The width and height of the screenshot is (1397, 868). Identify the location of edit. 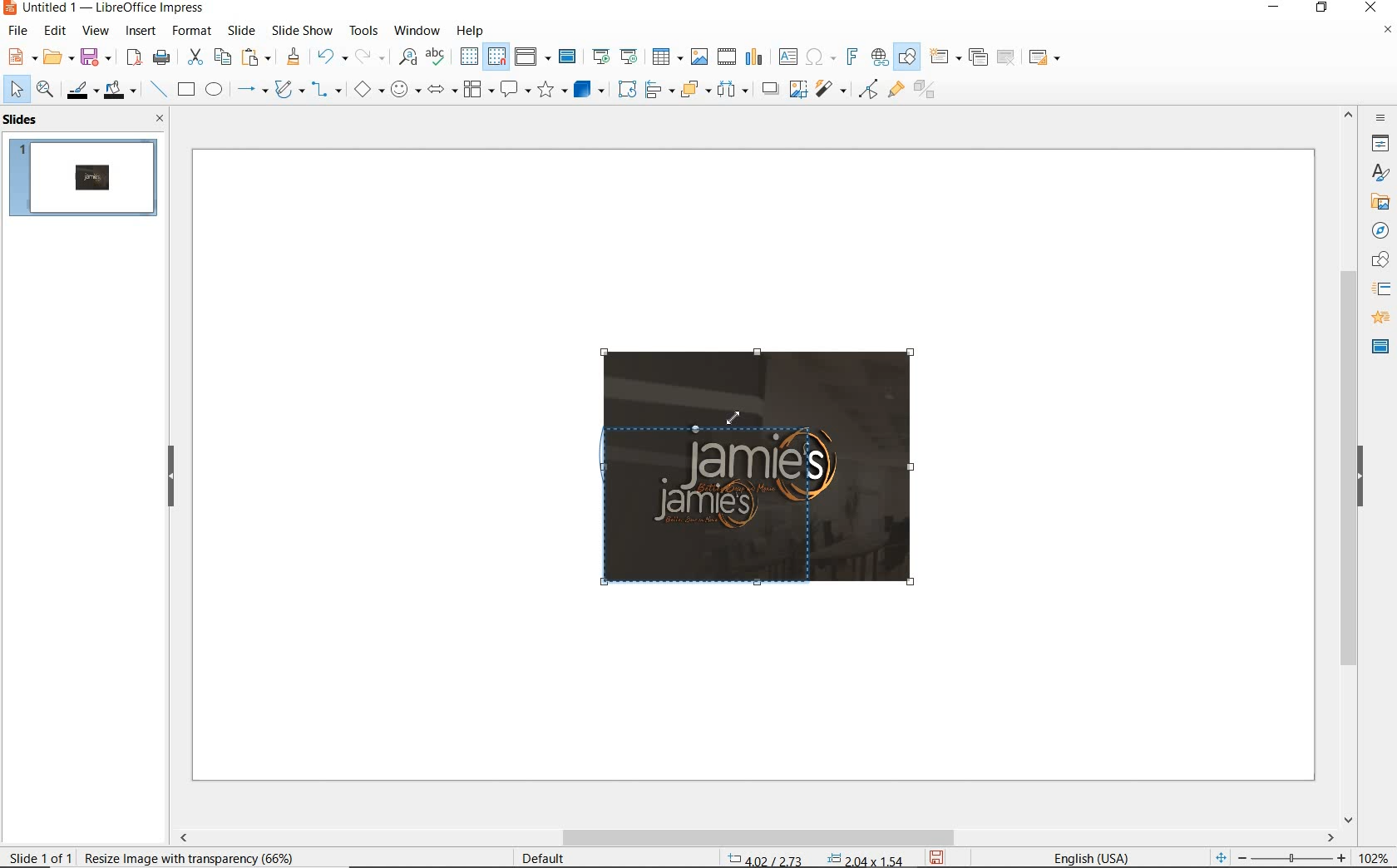
(56, 31).